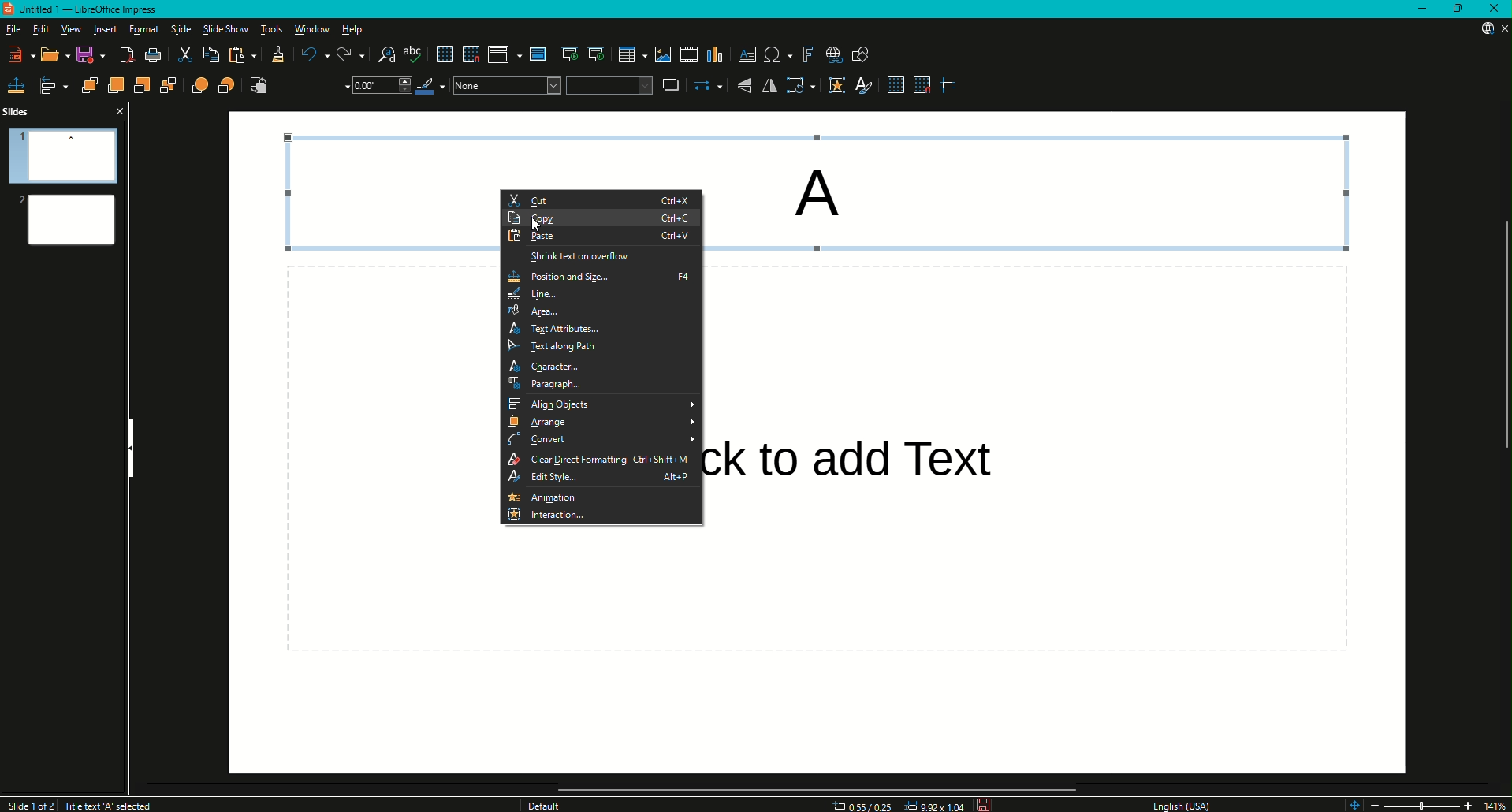 This screenshot has height=812, width=1512. Describe the element at coordinates (72, 29) in the screenshot. I see `View` at that location.